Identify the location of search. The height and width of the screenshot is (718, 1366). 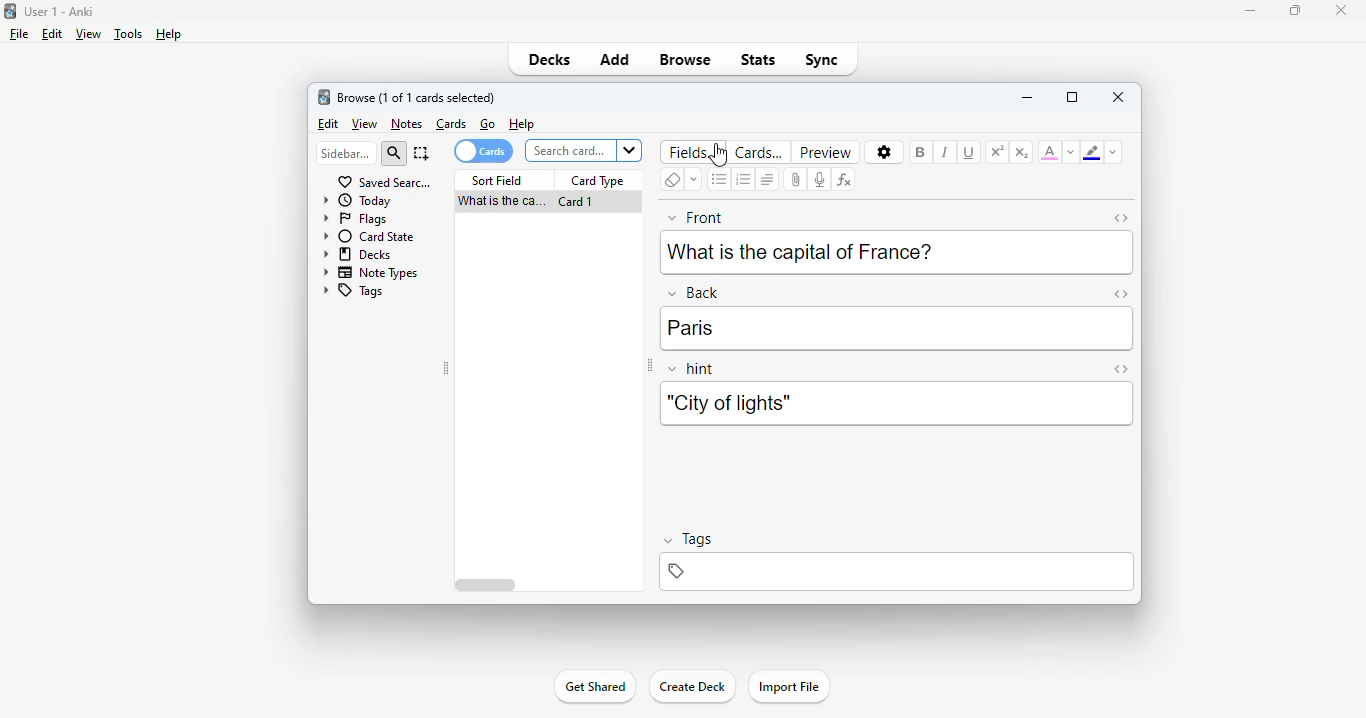
(394, 154).